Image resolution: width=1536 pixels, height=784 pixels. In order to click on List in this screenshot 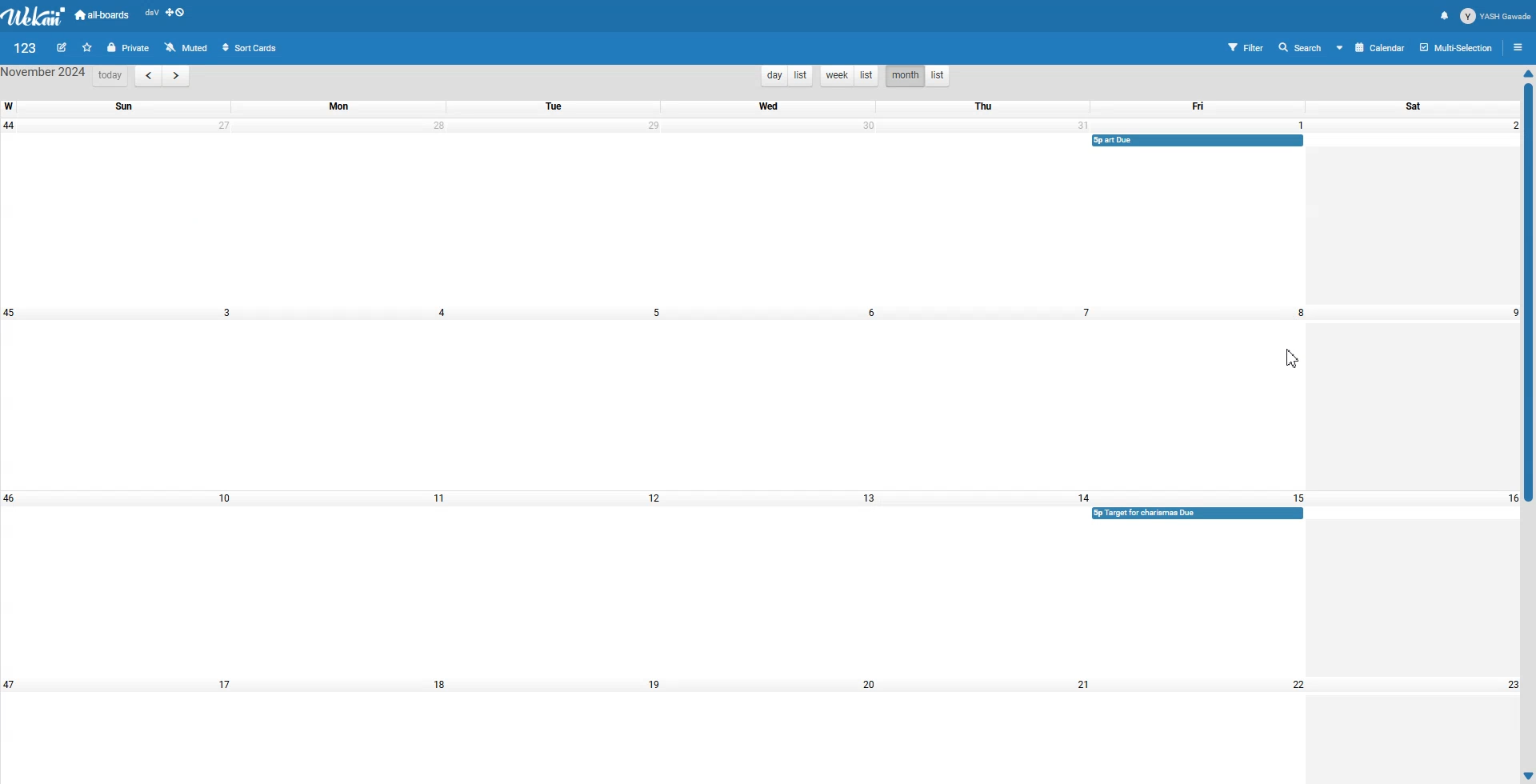, I will do `click(938, 76)`.